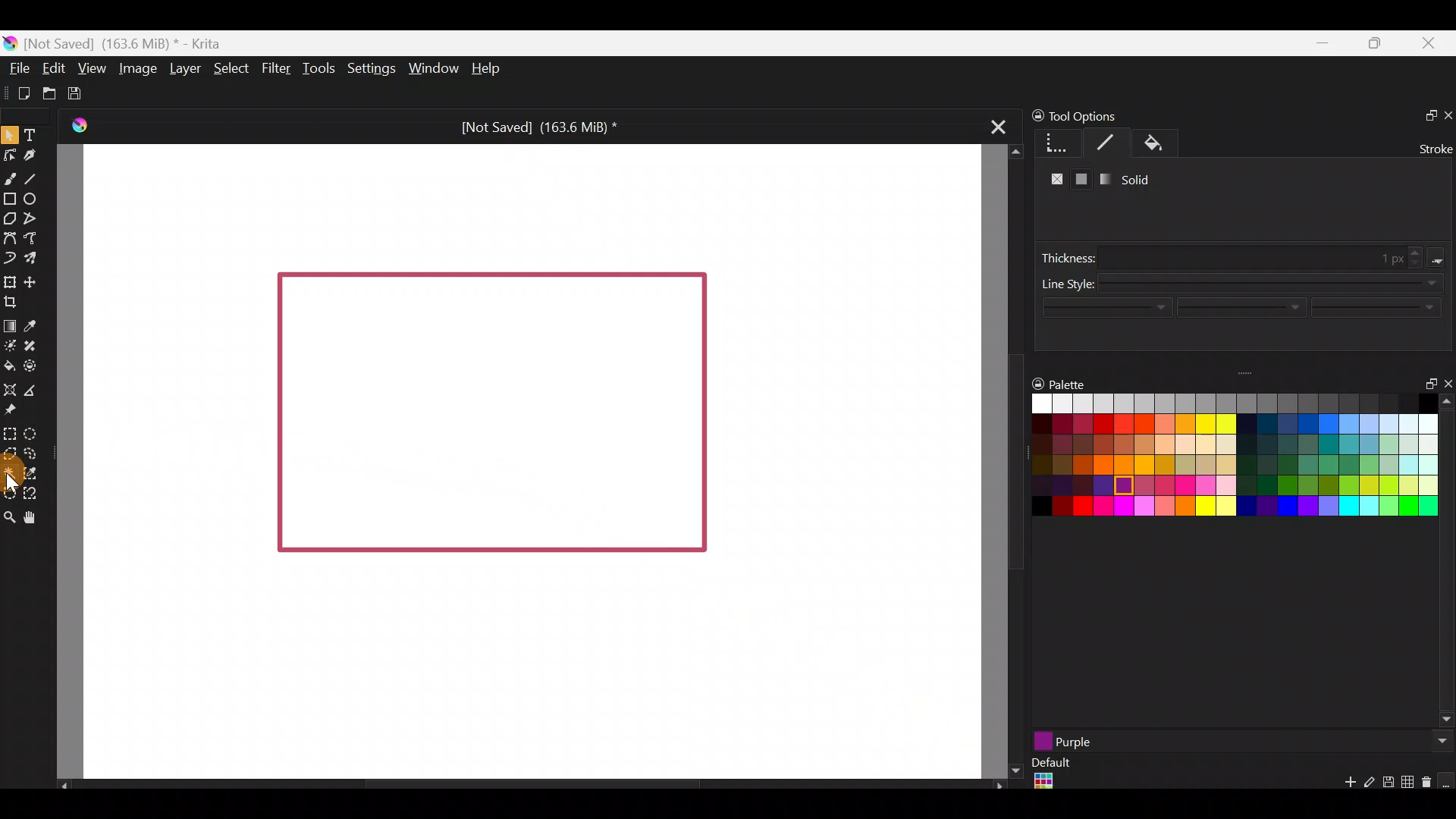 The image size is (1456, 819). What do you see at coordinates (12, 137) in the screenshot?
I see `Select shapes tool` at bounding box center [12, 137].